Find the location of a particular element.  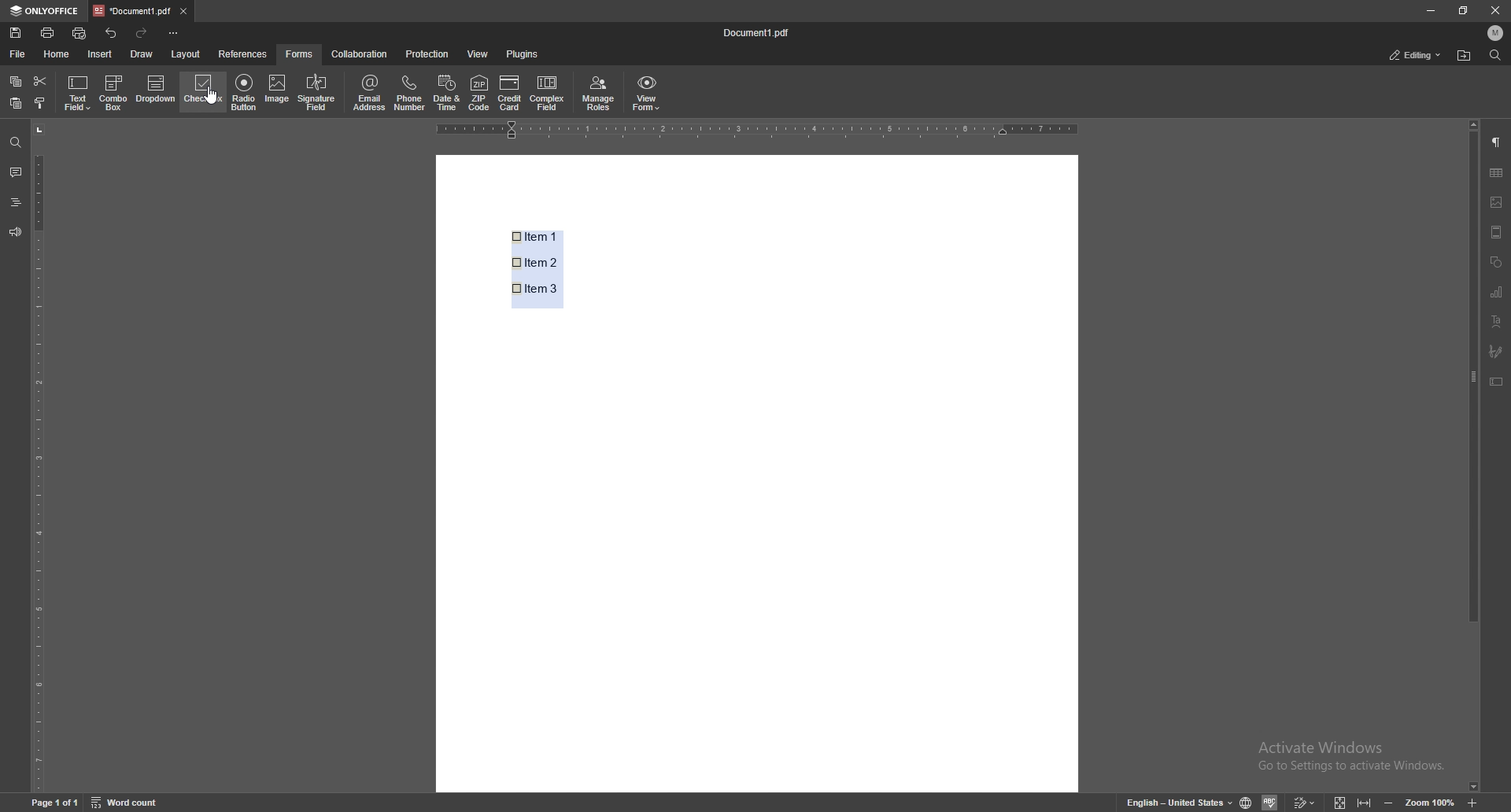

shapes is located at coordinates (1498, 262).